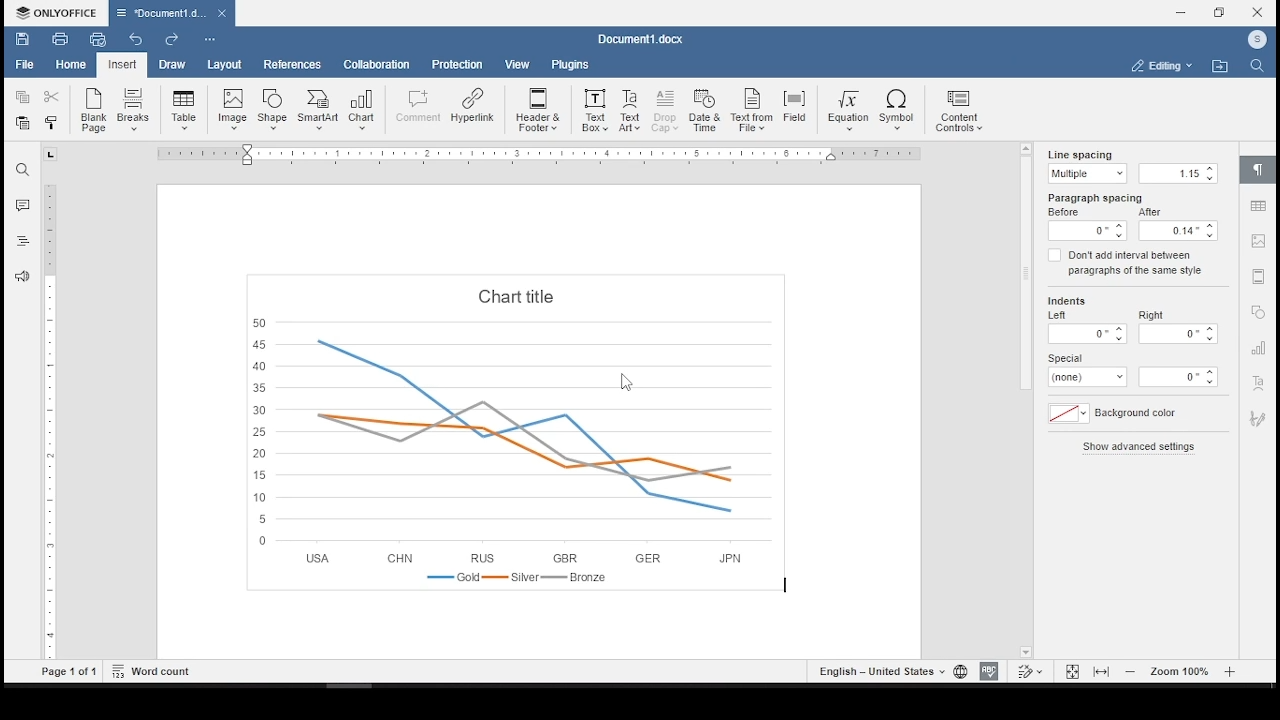  I want to click on save, so click(23, 38).